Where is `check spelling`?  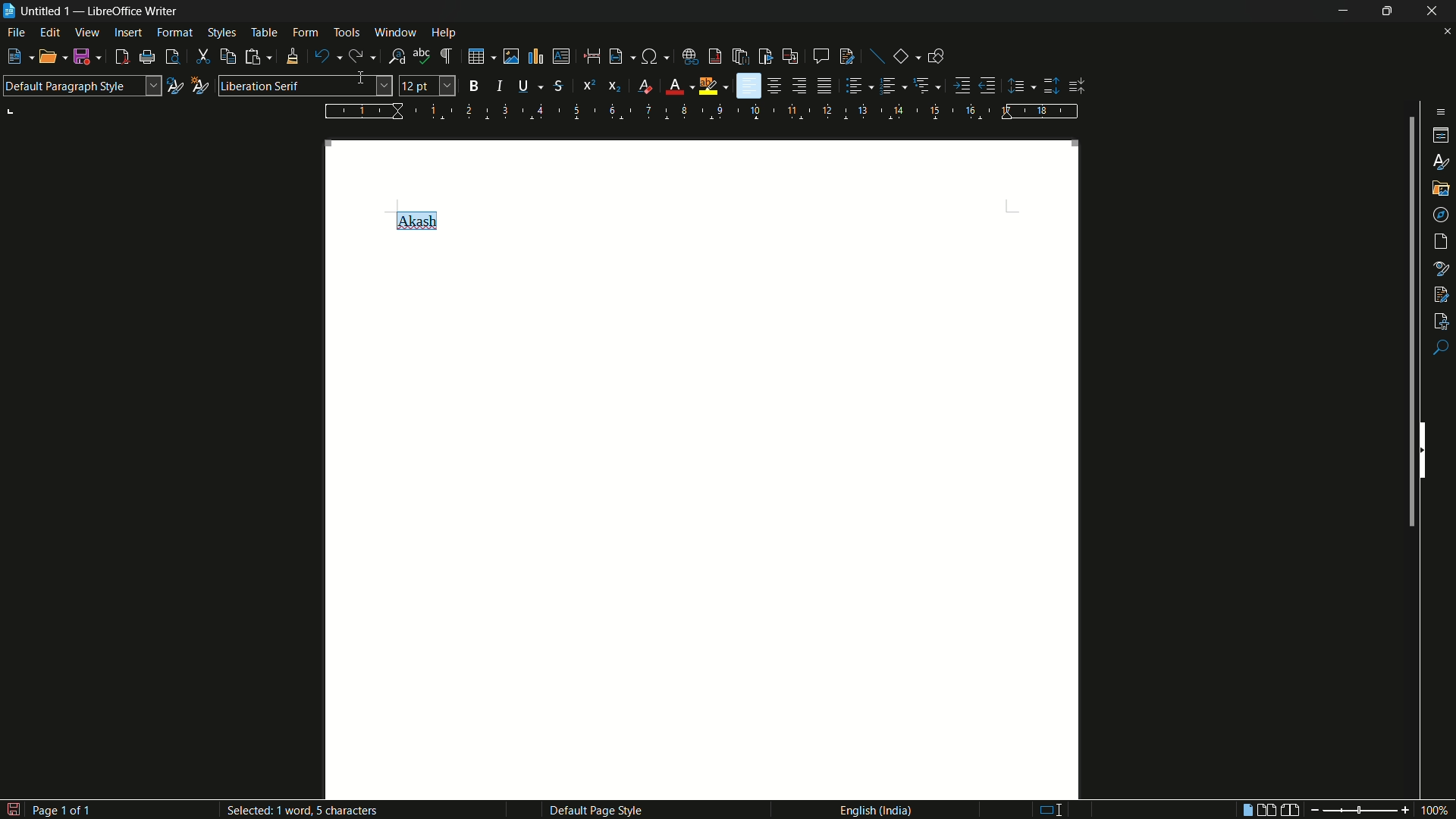
check spelling is located at coordinates (422, 56).